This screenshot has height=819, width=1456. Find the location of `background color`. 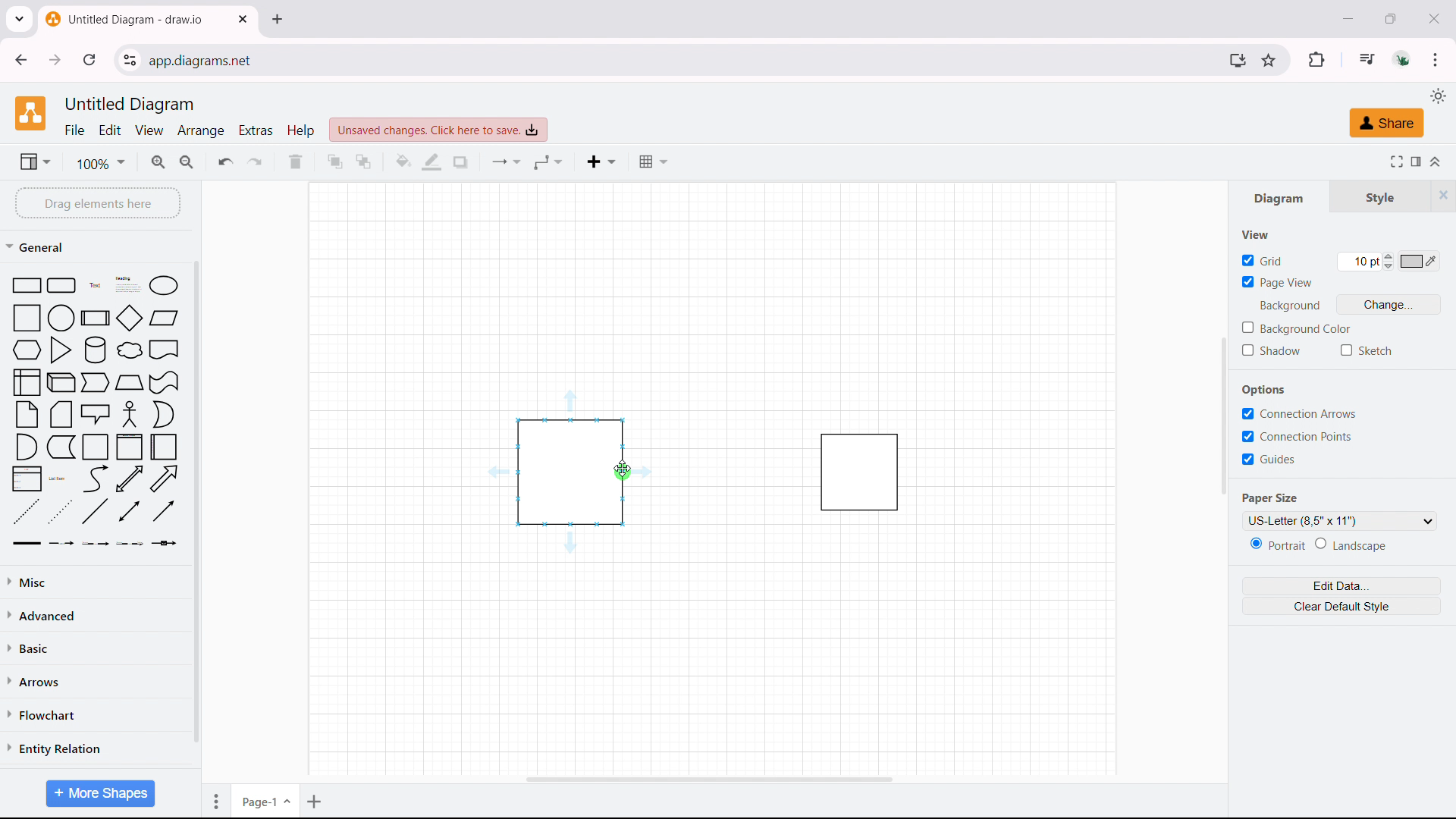

background color is located at coordinates (1296, 328).